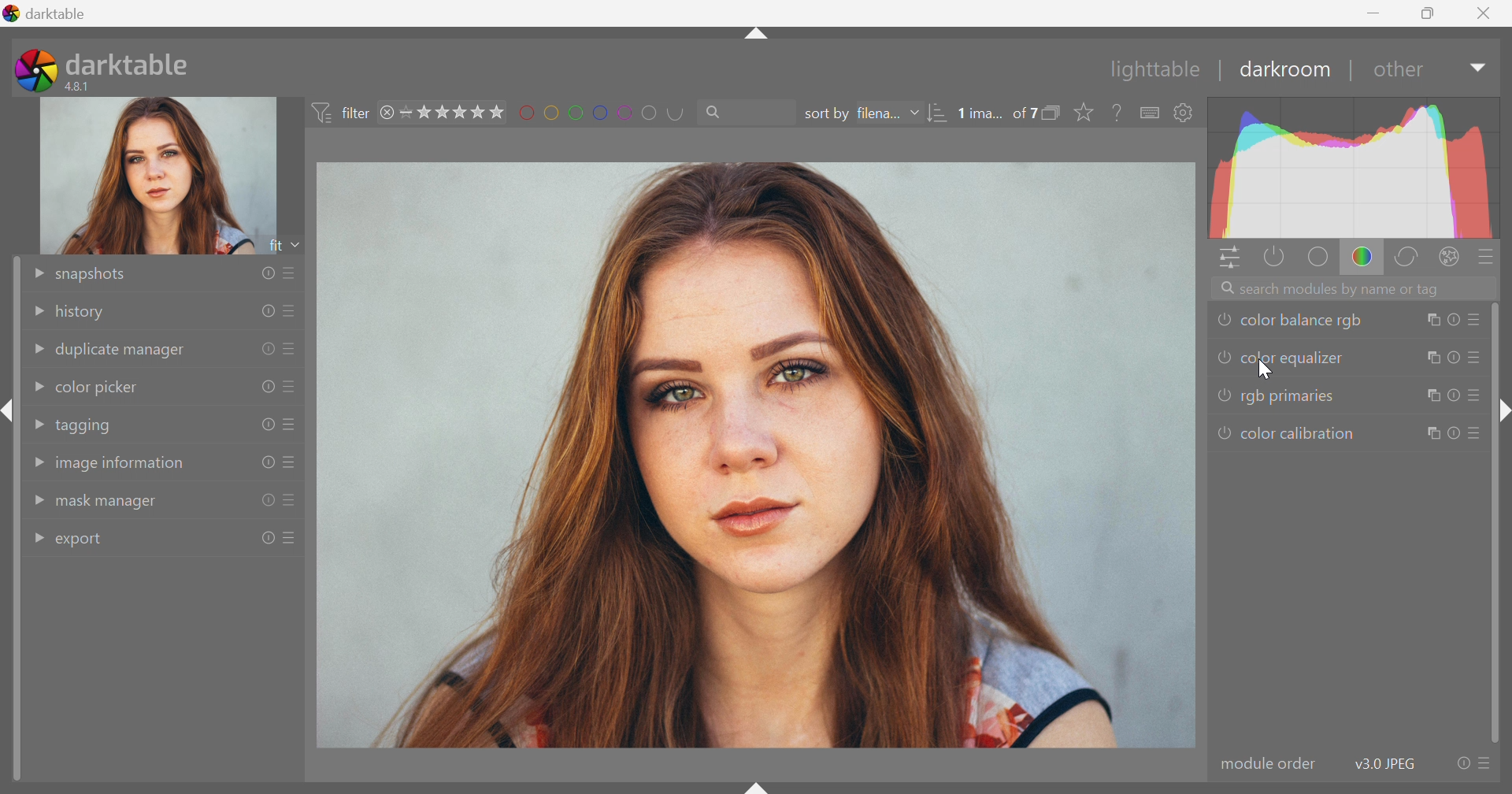  Describe the element at coordinates (1452, 433) in the screenshot. I see `reset` at that location.